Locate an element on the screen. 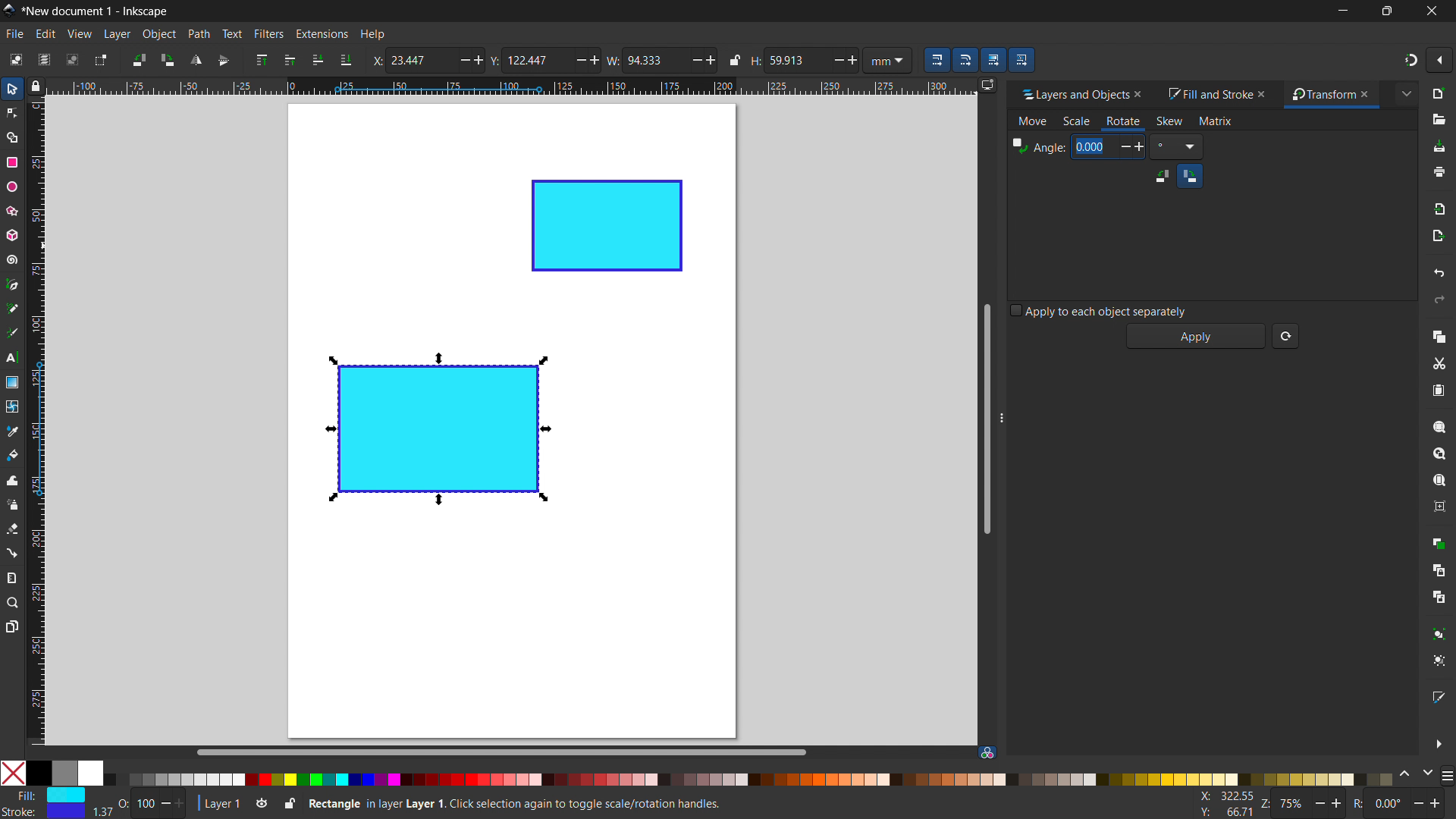  clockwise is located at coordinates (1190, 175).